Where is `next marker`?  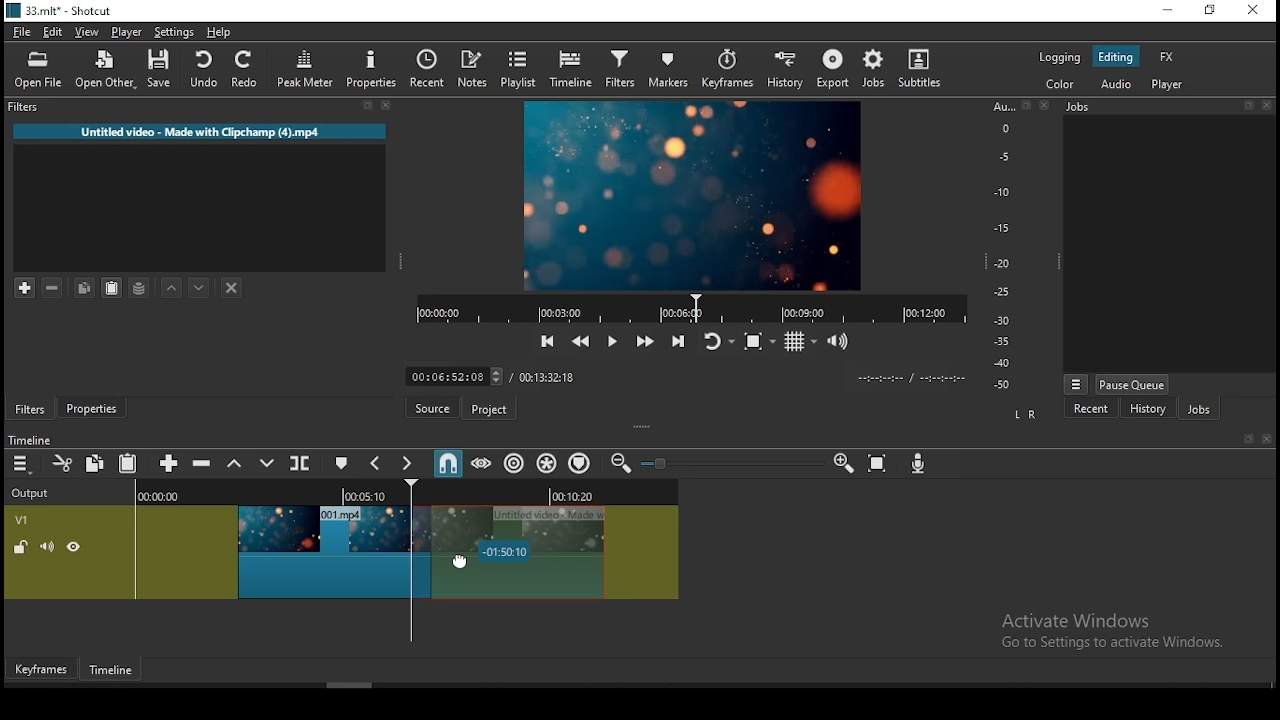
next marker is located at coordinates (410, 463).